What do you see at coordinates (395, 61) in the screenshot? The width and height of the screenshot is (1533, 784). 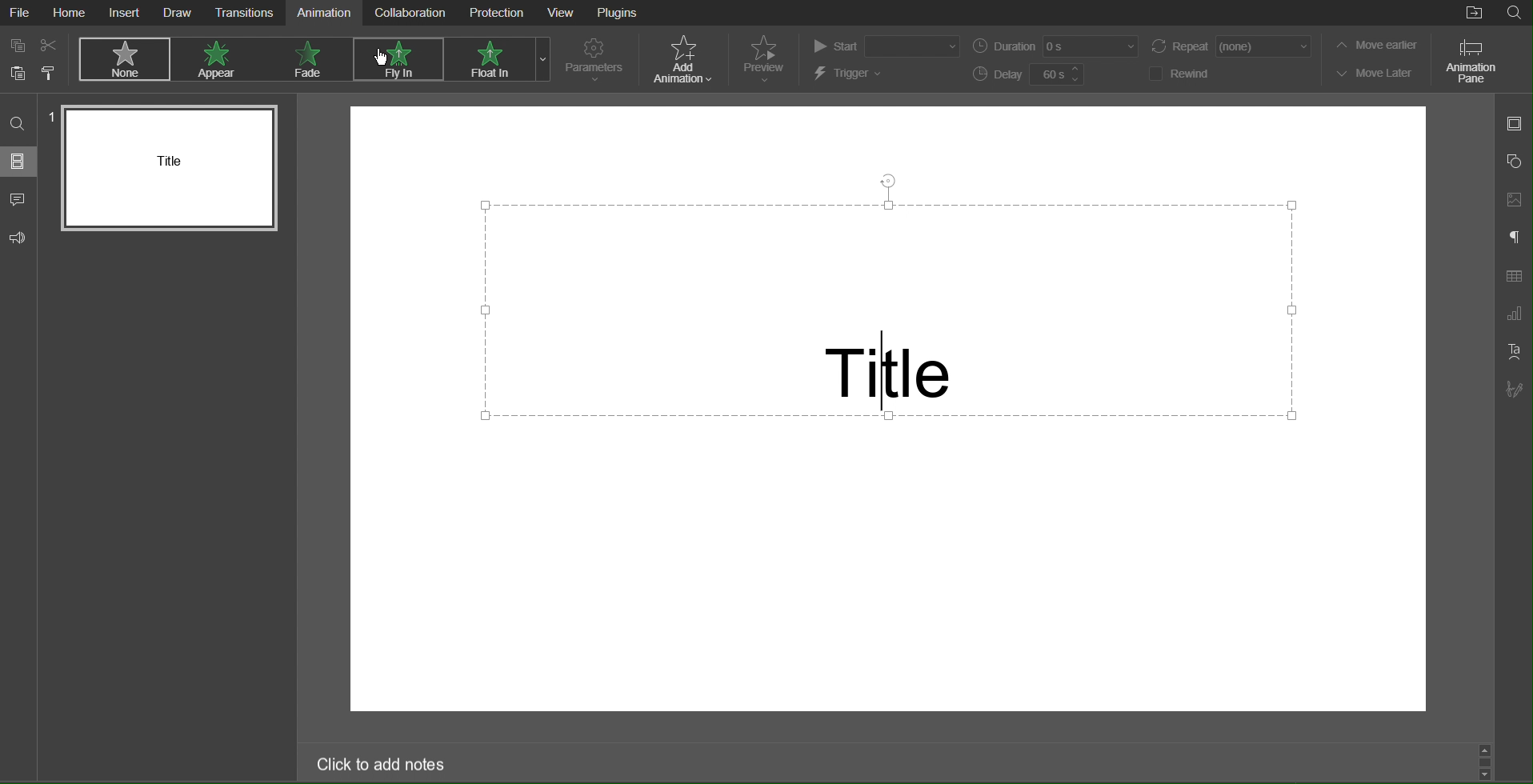 I see `Fly In` at bounding box center [395, 61].